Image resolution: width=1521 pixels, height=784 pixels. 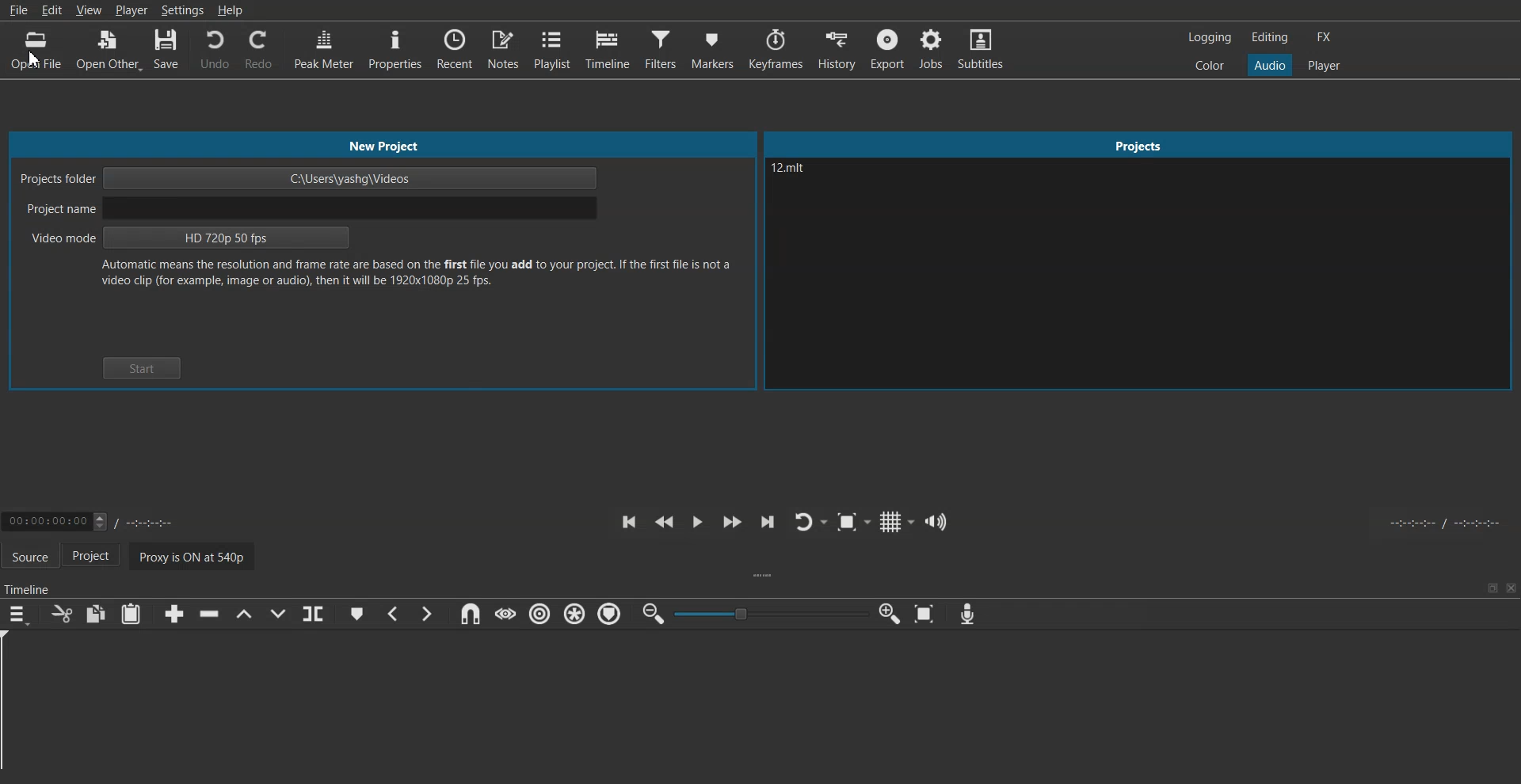 What do you see at coordinates (280, 614) in the screenshot?
I see `Overwrite` at bounding box center [280, 614].